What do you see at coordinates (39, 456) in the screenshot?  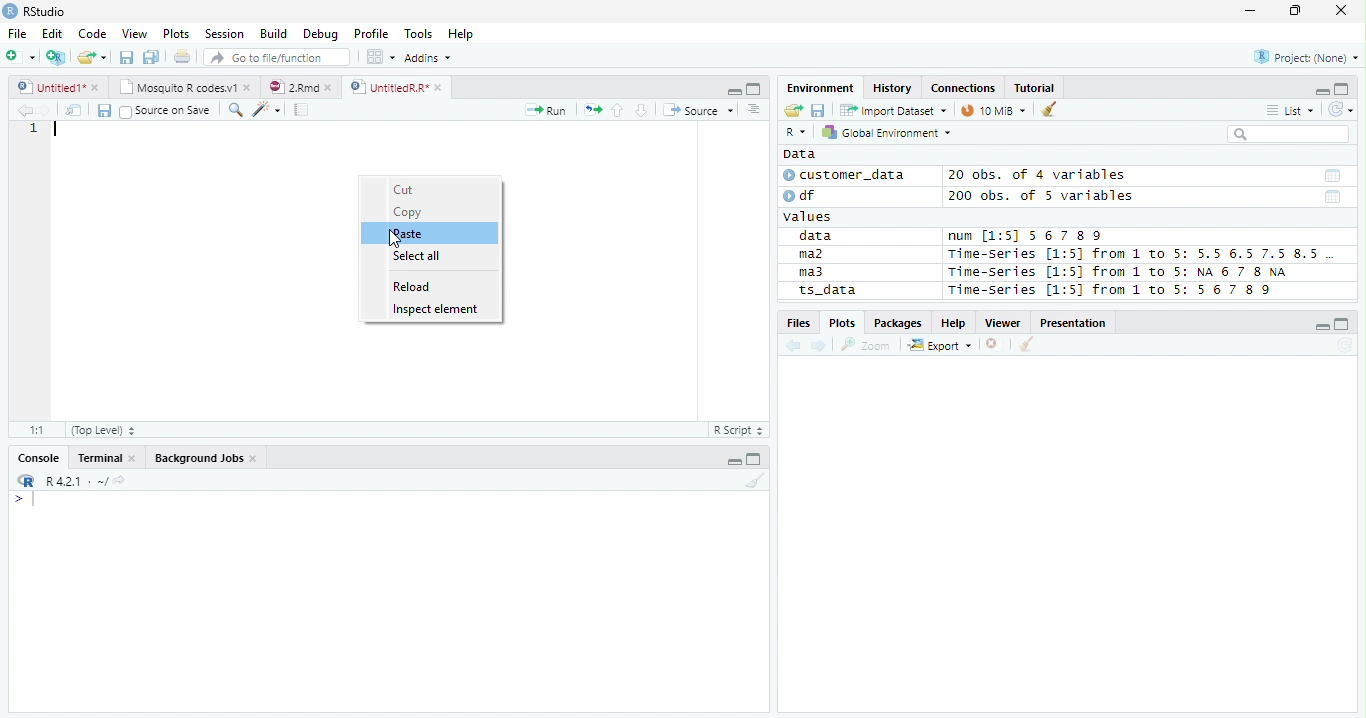 I see `Console` at bounding box center [39, 456].